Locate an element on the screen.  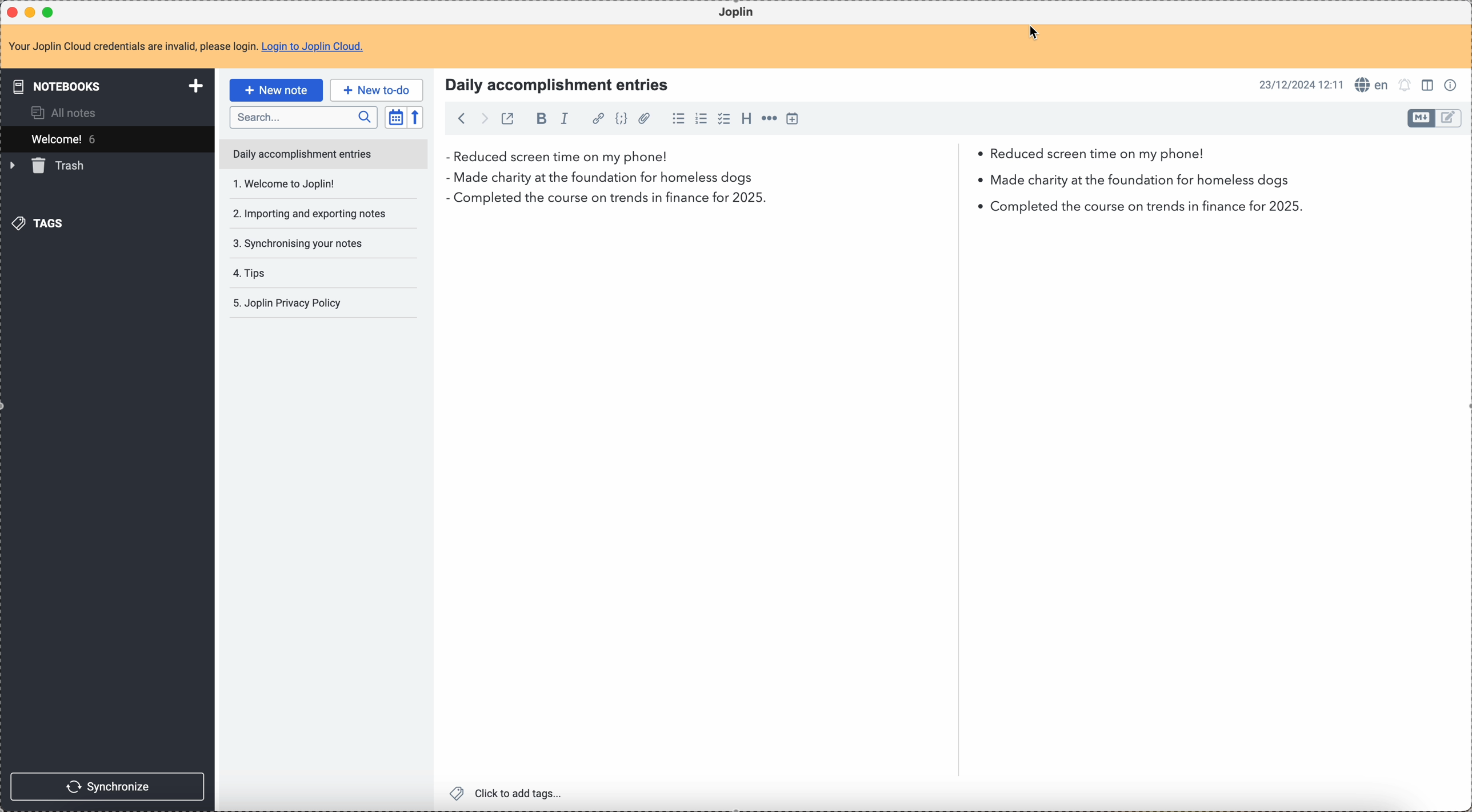
note properties is located at coordinates (1451, 86).